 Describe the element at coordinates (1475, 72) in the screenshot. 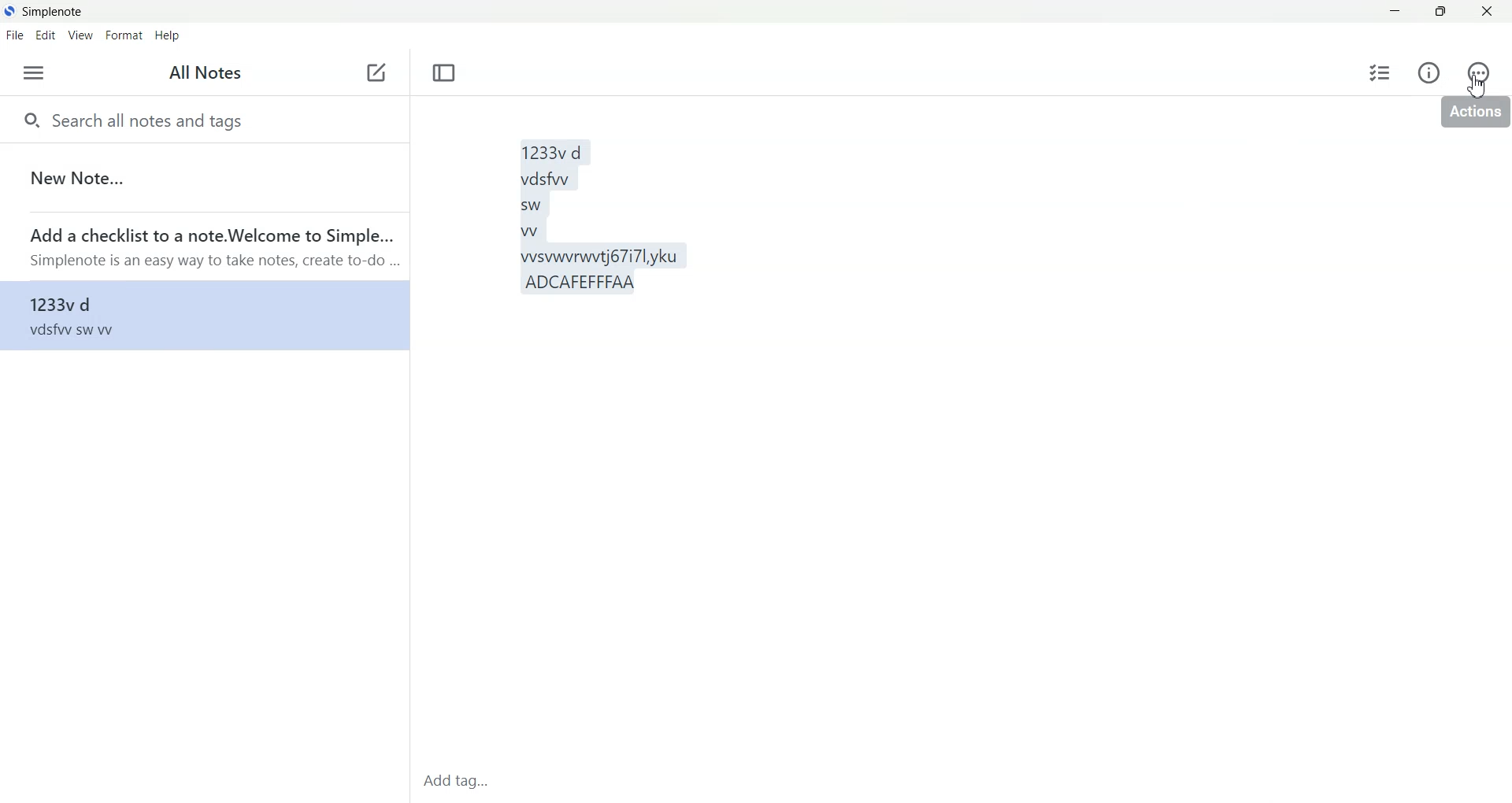

I see `Actions` at that location.